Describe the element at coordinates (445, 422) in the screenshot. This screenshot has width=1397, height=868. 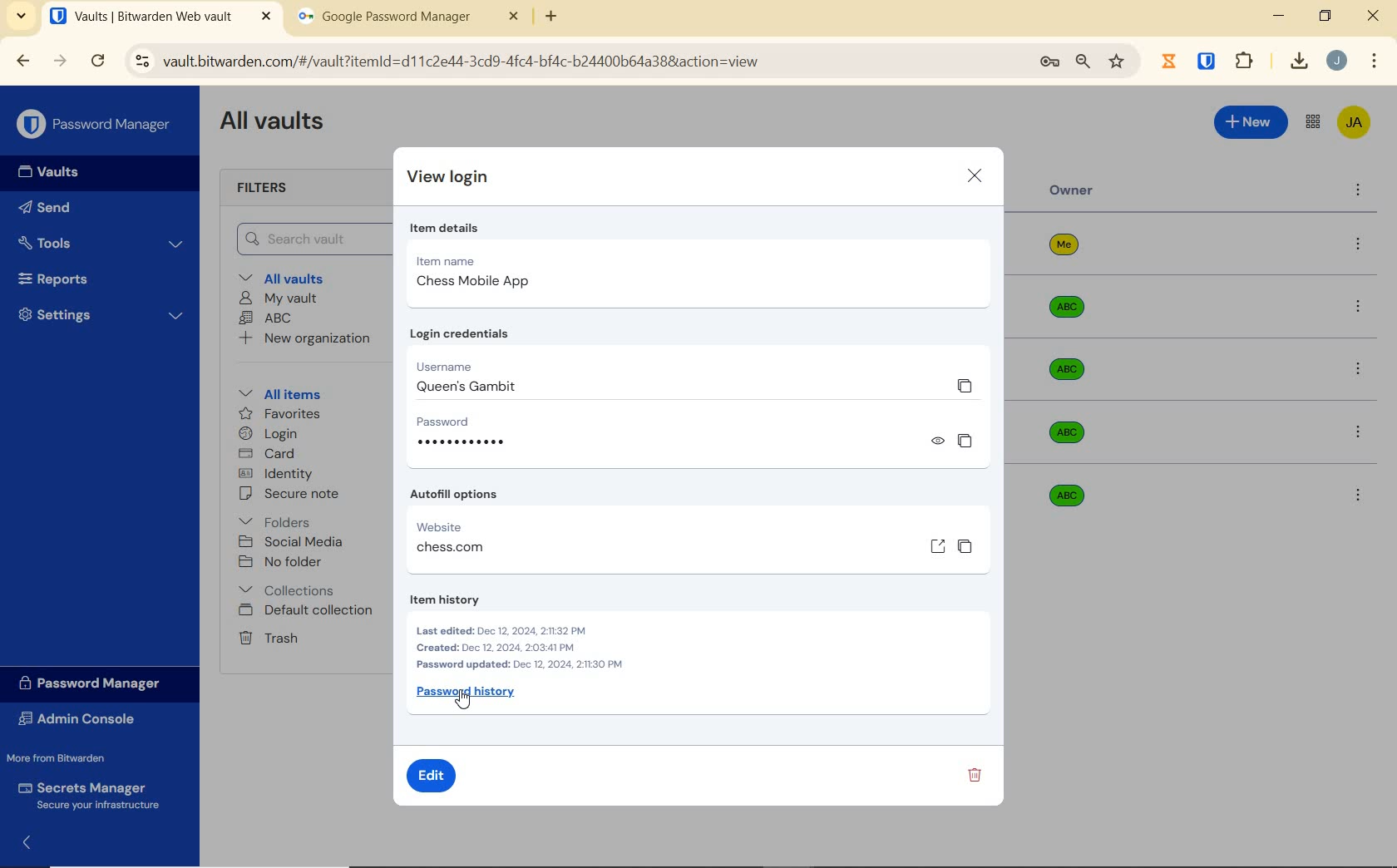
I see `Password` at that location.